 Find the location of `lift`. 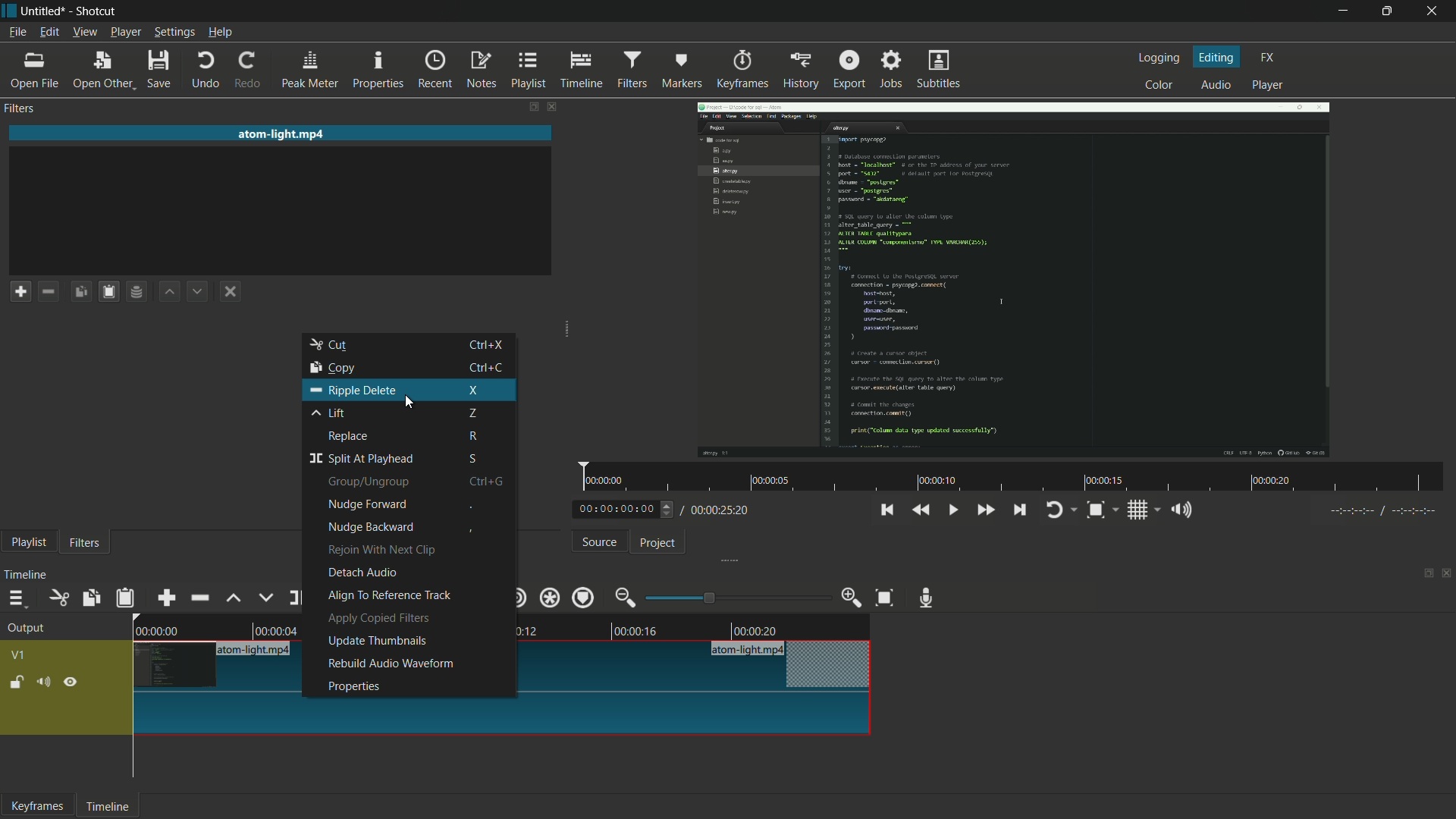

lift is located at coordinates (236, 598).